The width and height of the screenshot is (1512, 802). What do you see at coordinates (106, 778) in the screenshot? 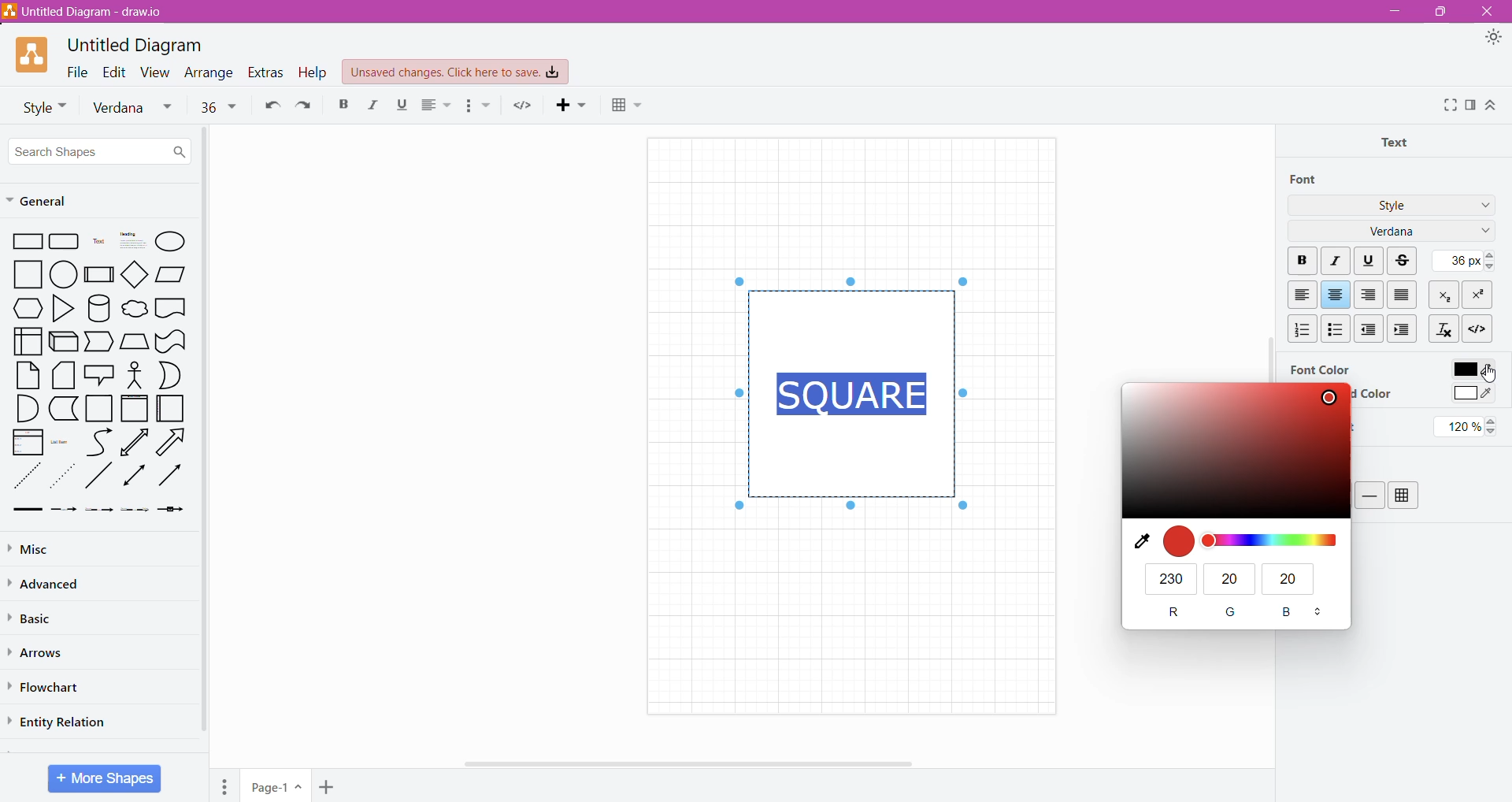
I see `More Shapes` at bounding box center [106, 778].